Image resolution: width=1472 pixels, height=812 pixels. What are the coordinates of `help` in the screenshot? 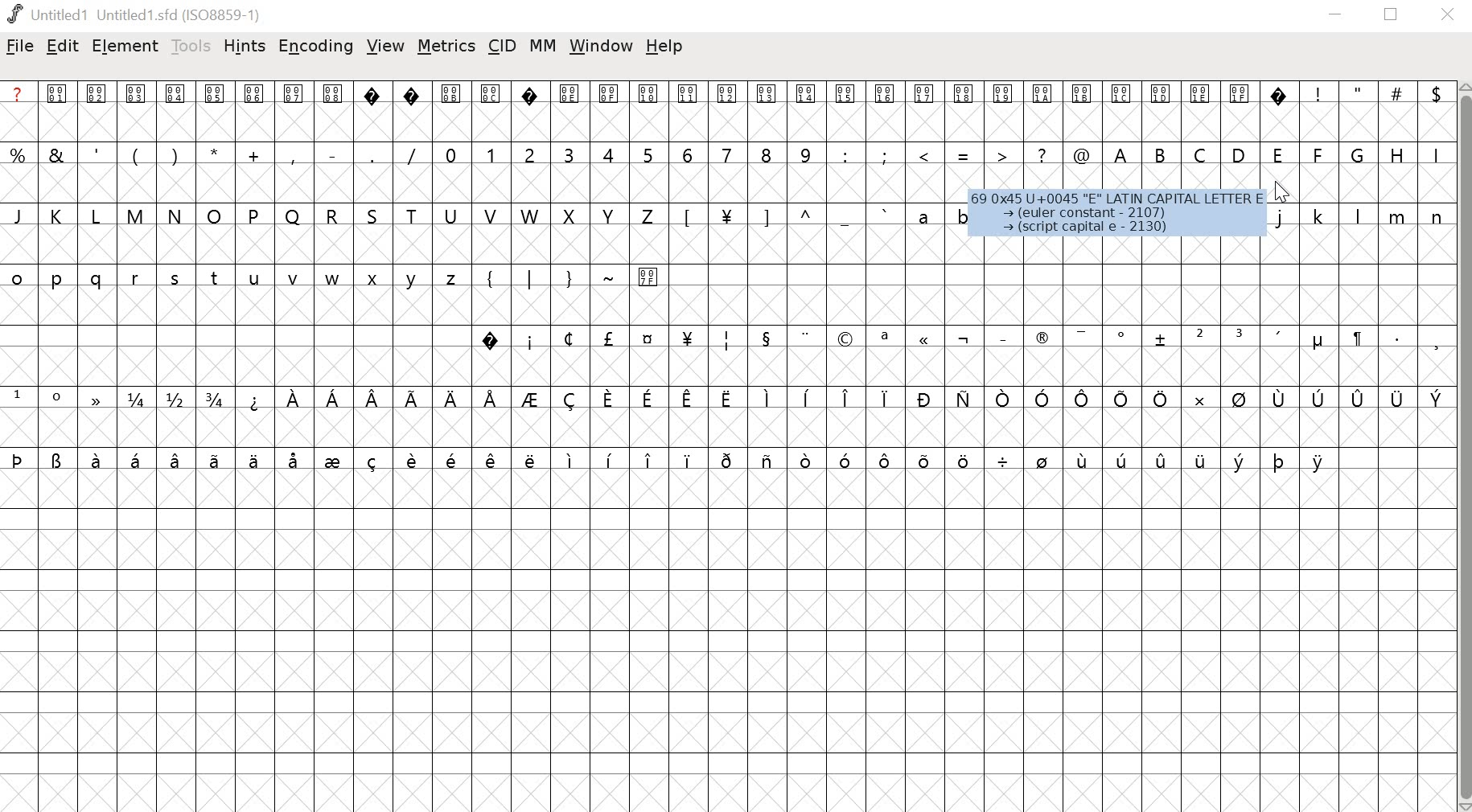 It's located at (664, 47).